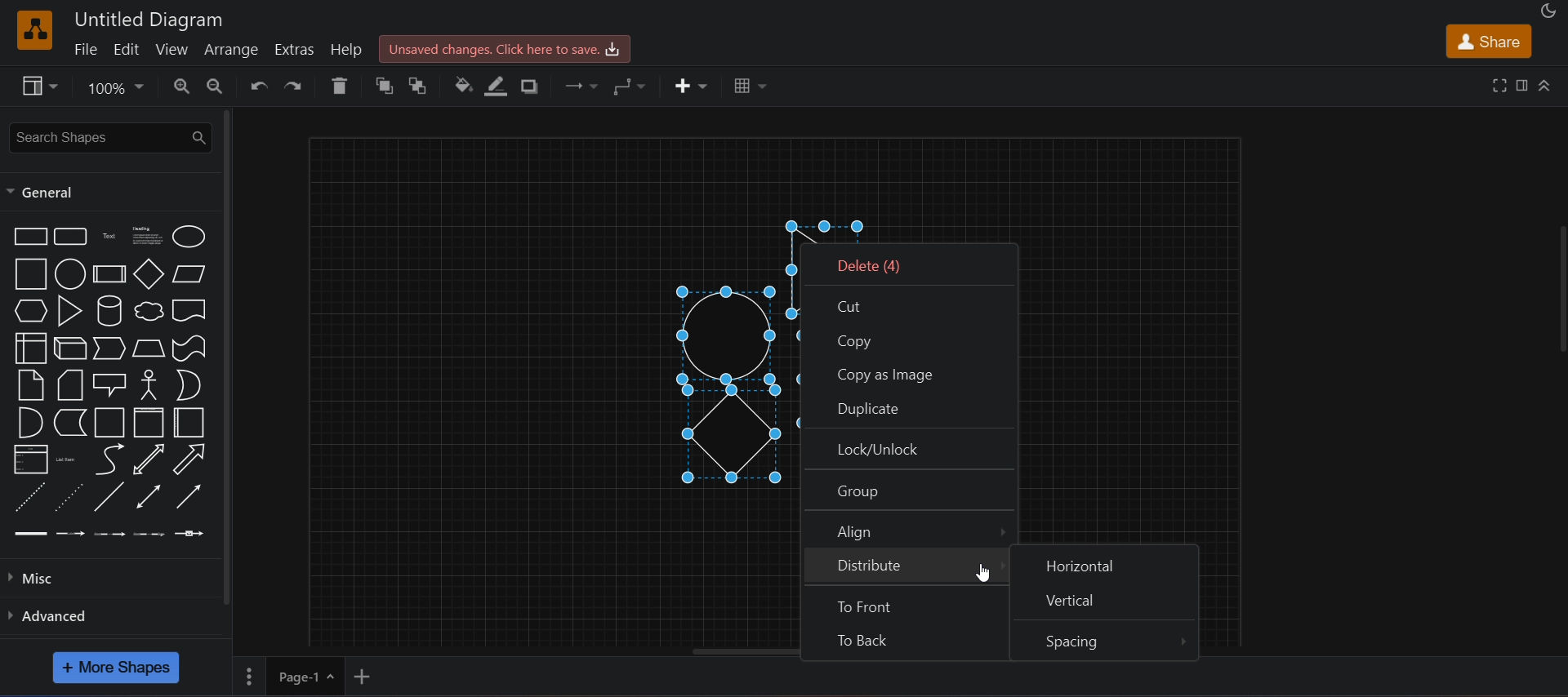 This screenshot has height=697, width=1568. Describe the element at coordinates (584, 87) in the screenshot. I see `connection` at that location.